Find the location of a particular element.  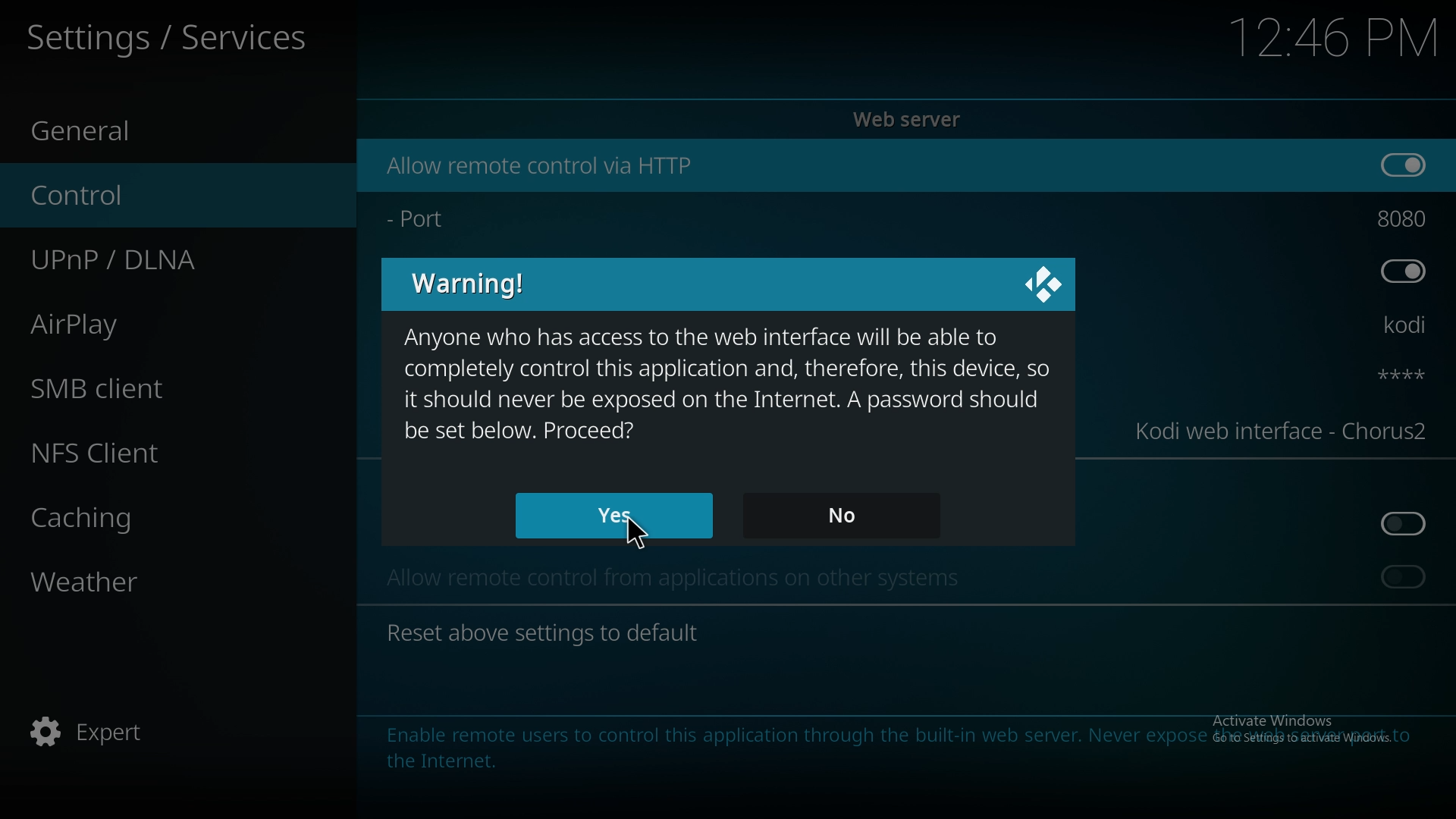

info is located at coordinates (883, 746).